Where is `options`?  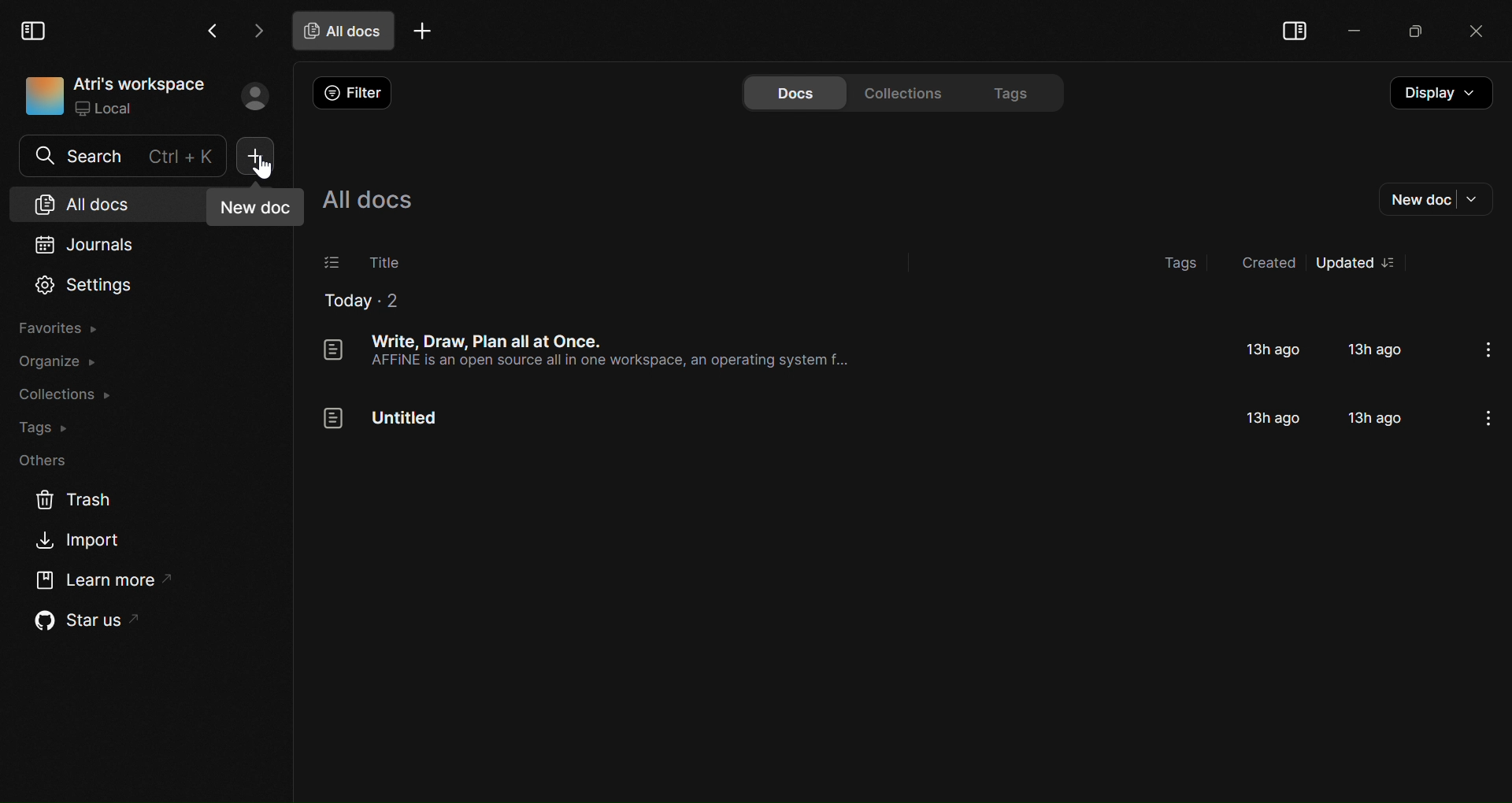 options is located at coordinates (1492, 352).